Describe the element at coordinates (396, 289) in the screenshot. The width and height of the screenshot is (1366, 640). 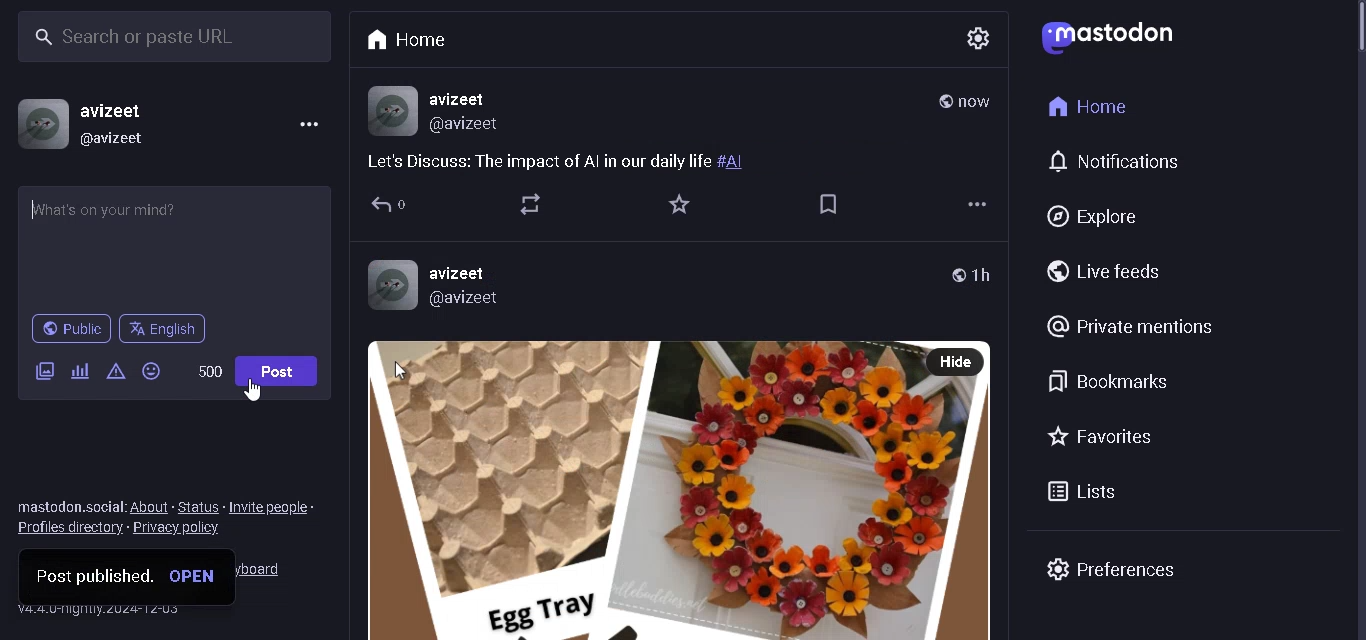
I see `profile picture` at that location.